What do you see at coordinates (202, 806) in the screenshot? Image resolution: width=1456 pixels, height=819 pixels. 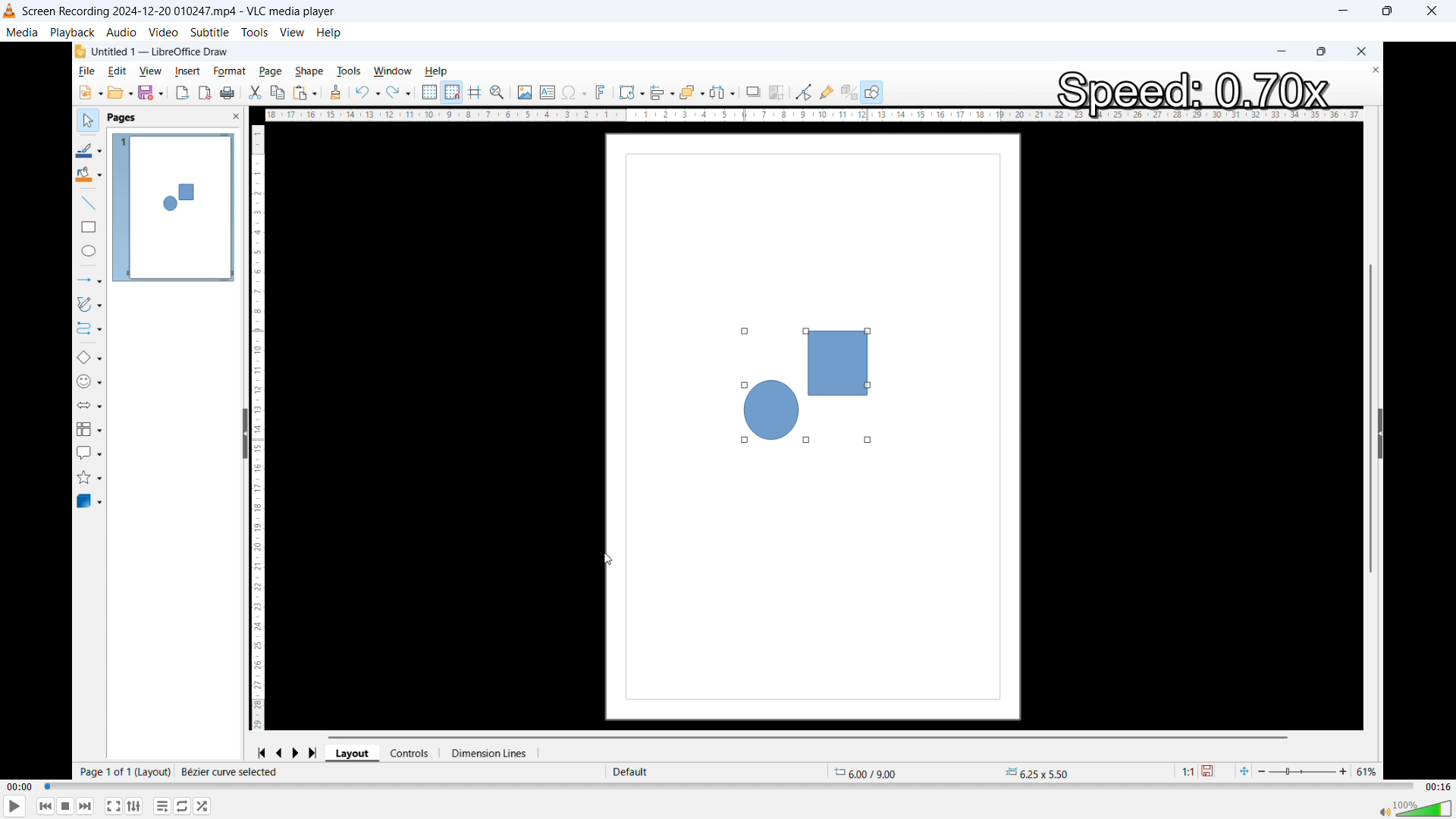 I see `random ` at bounding box center [202, 806].